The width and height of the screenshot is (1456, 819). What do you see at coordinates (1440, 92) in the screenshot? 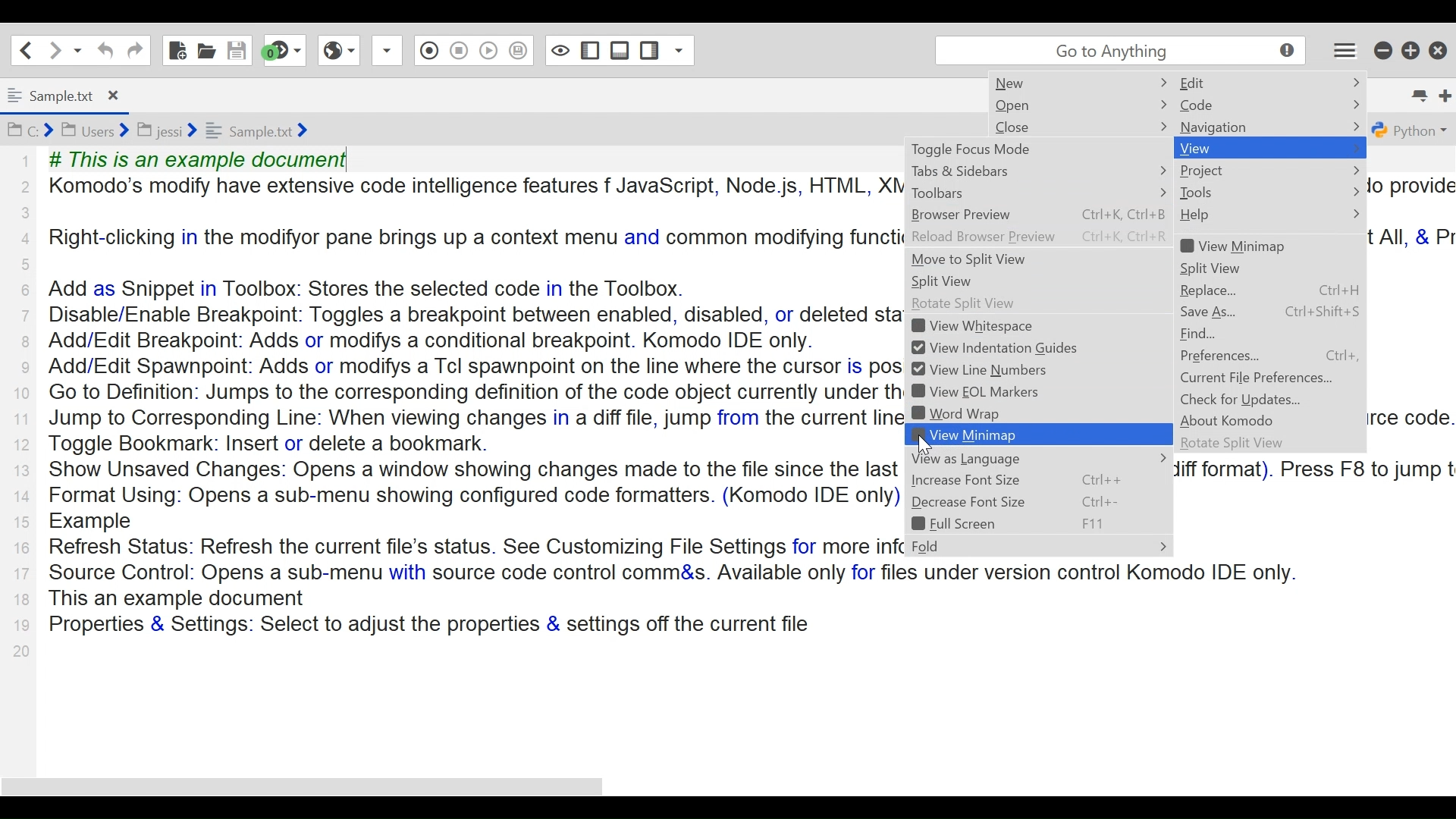
I see `New Tab` at bounding box center [1440, 92].